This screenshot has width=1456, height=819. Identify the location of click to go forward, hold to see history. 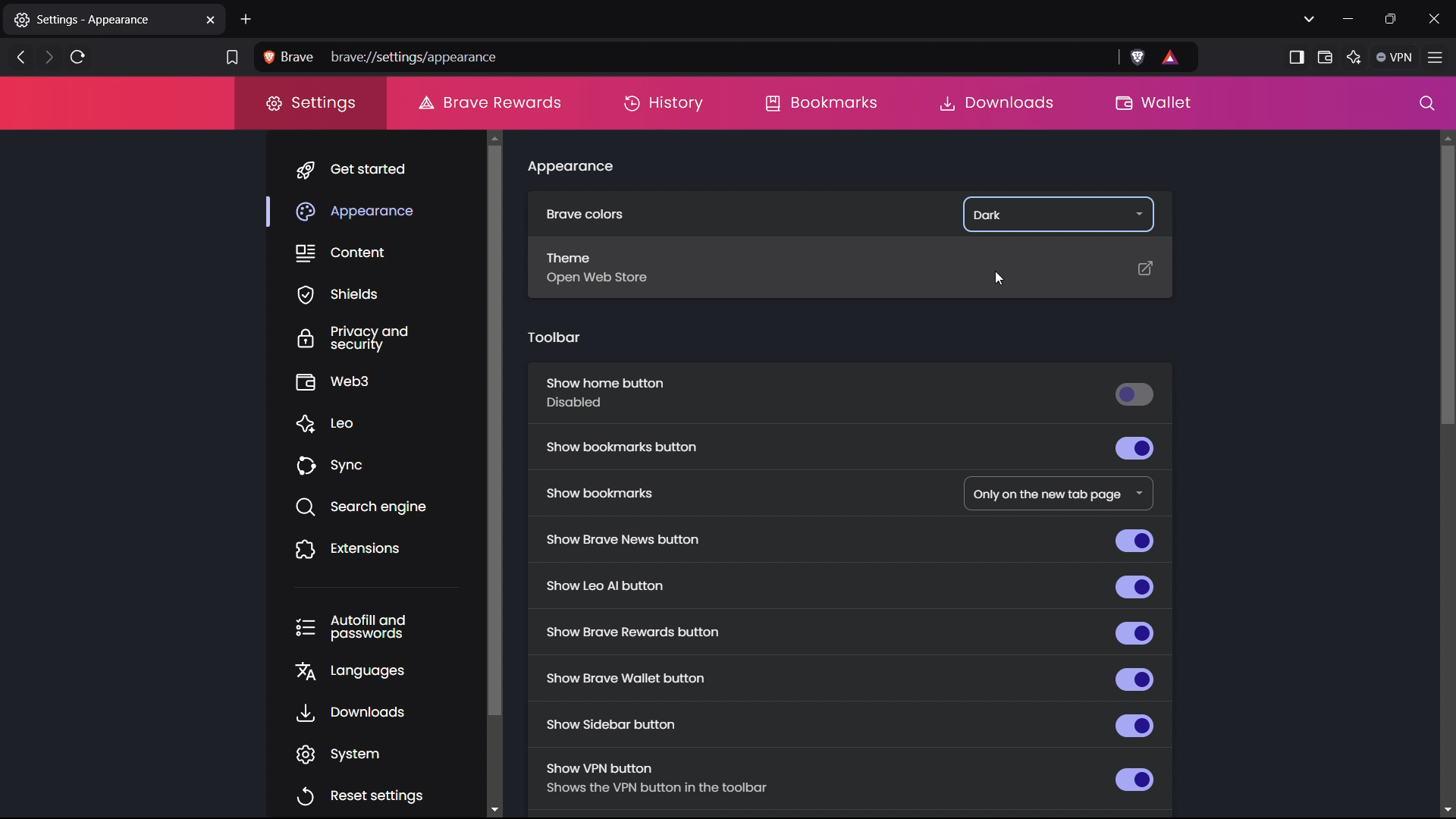
(50, 56).